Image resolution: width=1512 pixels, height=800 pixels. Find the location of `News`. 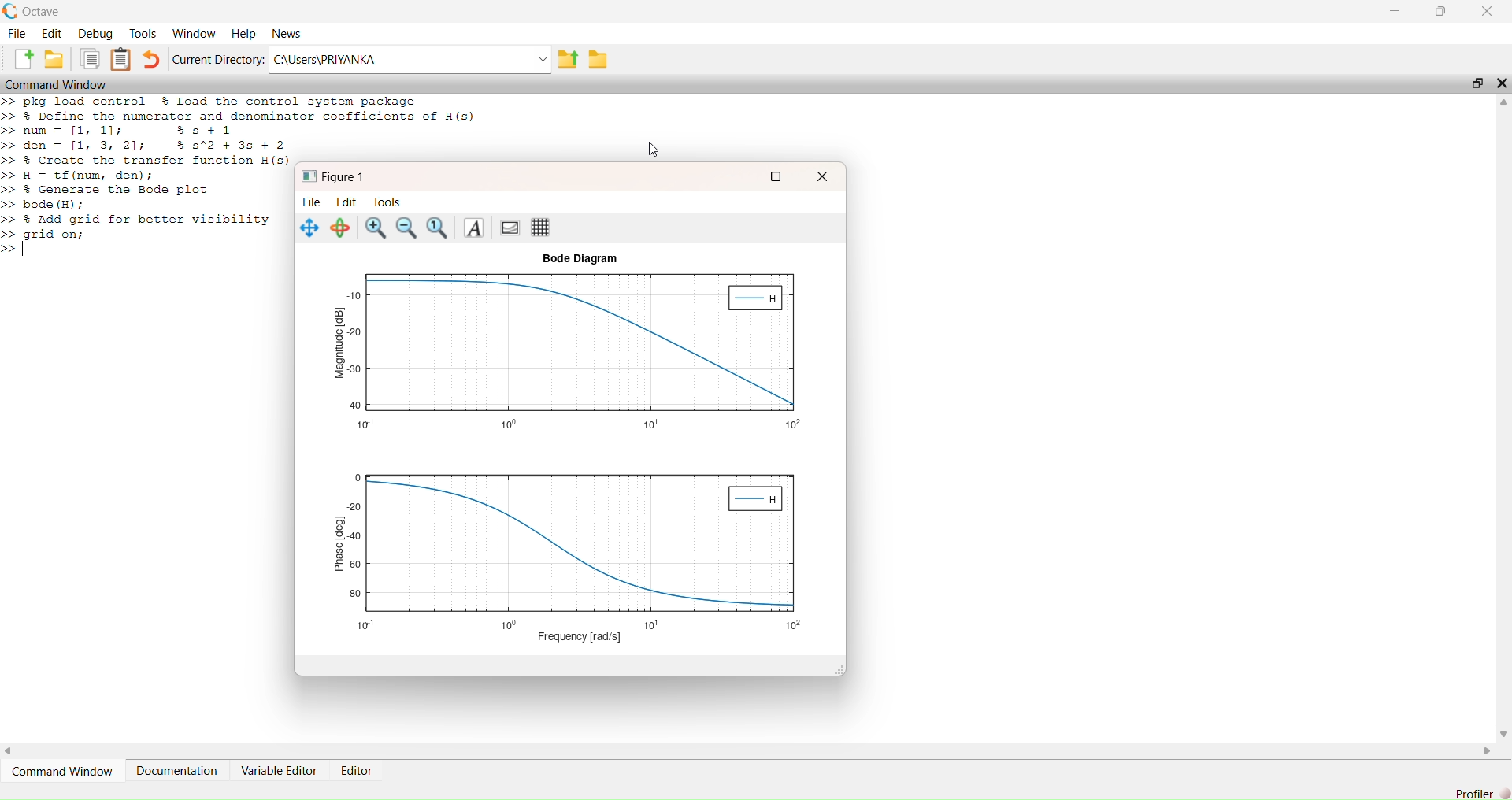

News is located at coordinates (286, 32).